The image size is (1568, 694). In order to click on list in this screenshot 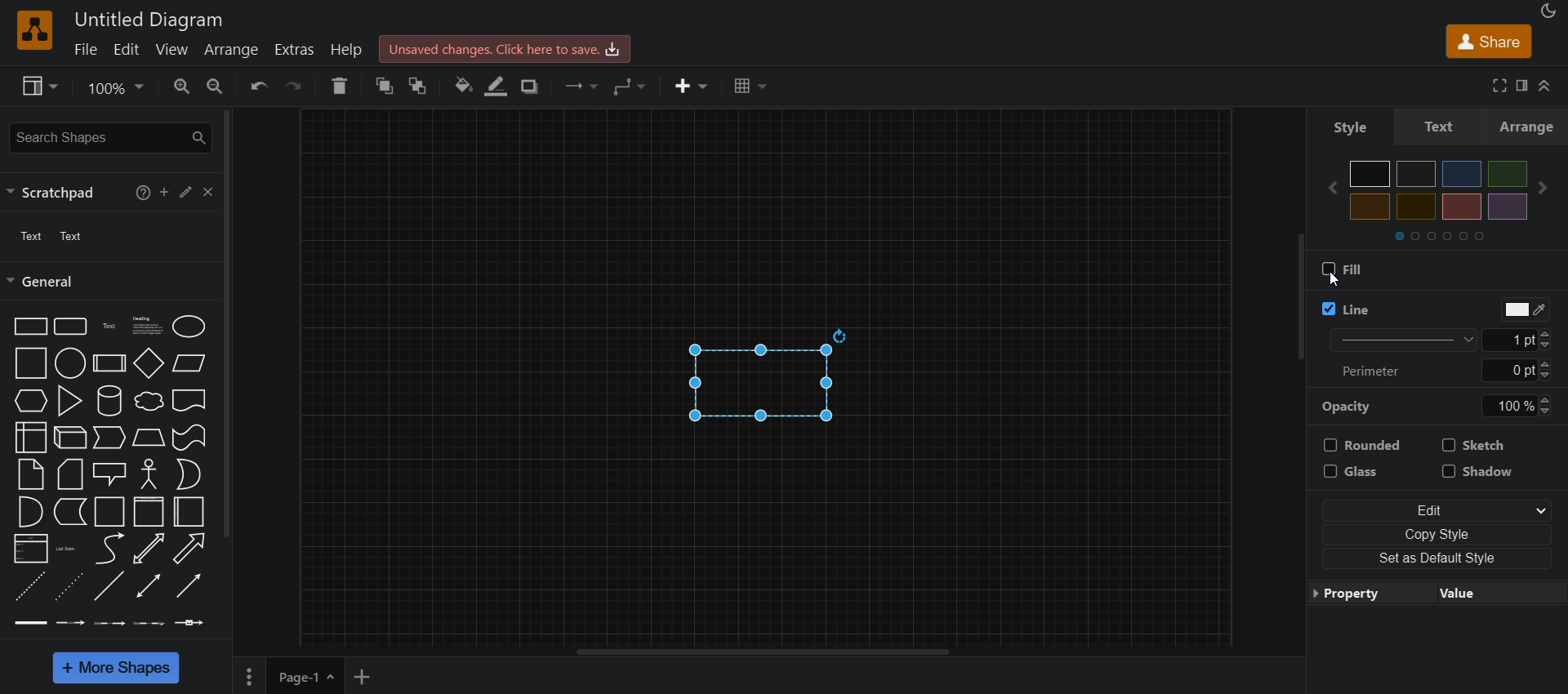, I will do `click(30, 551)`.